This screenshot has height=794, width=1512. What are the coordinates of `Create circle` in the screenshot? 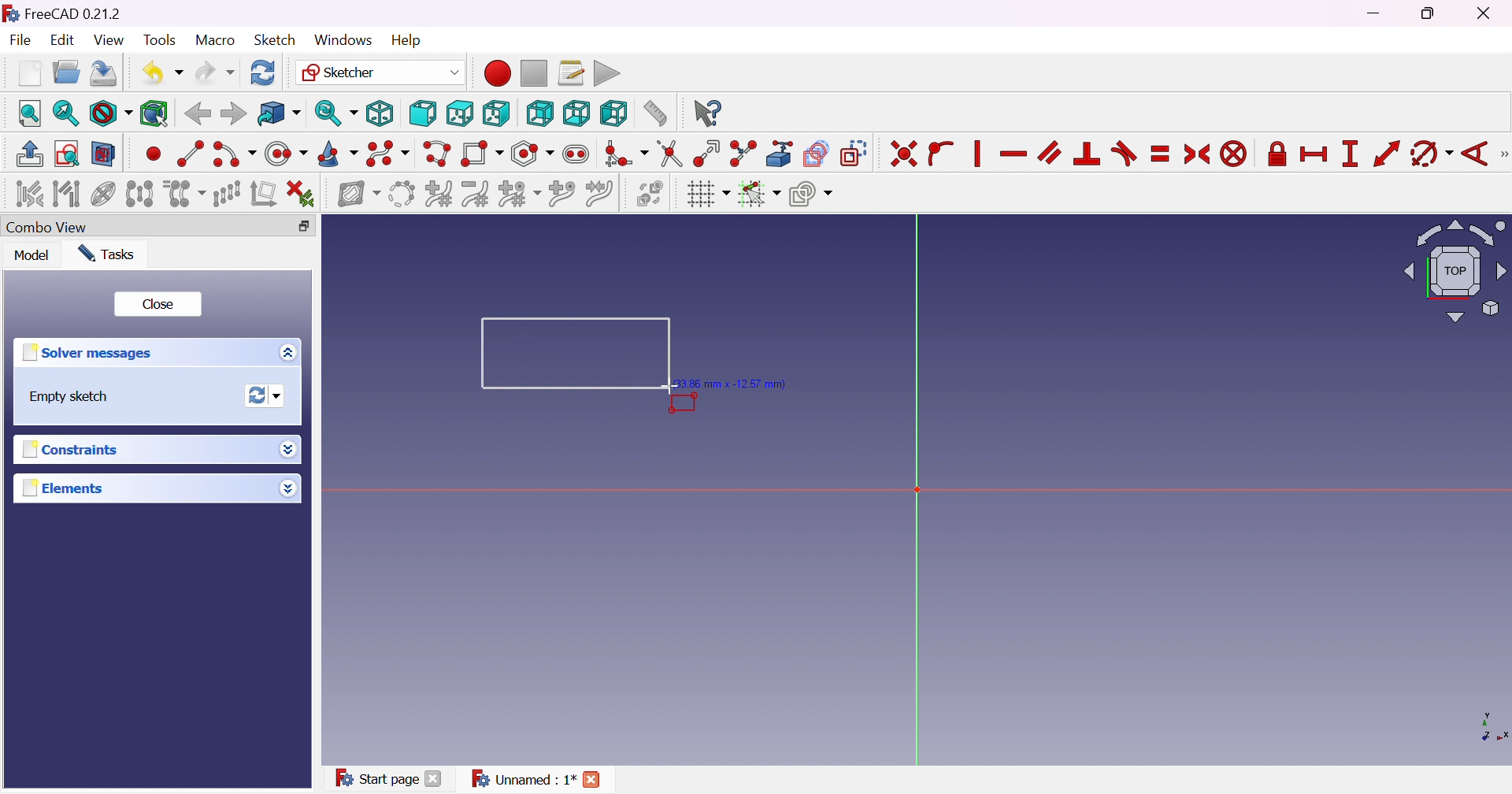 It's located at (286, 154).